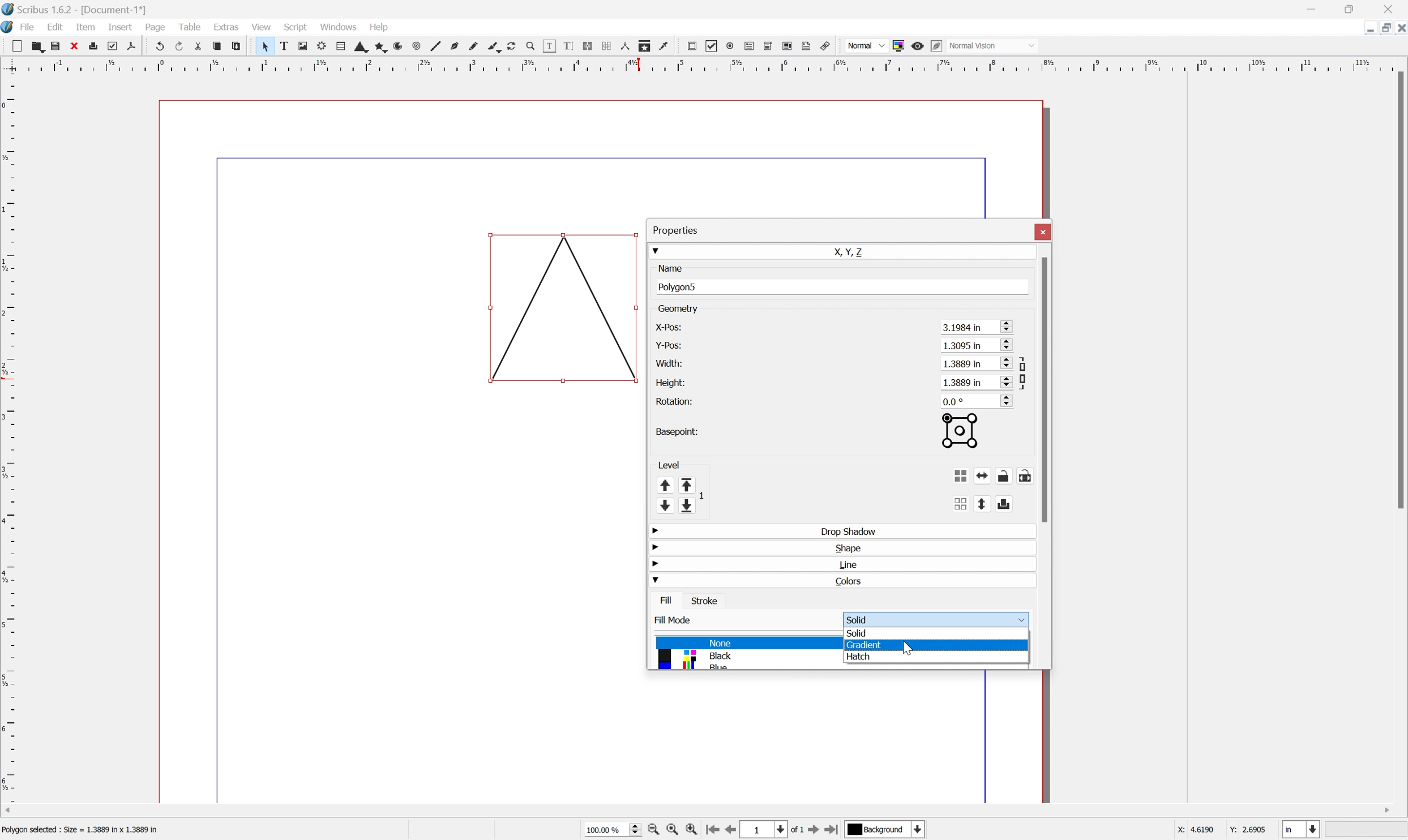  Describe the element at coordinates (216, 46) in the screenshot. I see `Copy` at that location.